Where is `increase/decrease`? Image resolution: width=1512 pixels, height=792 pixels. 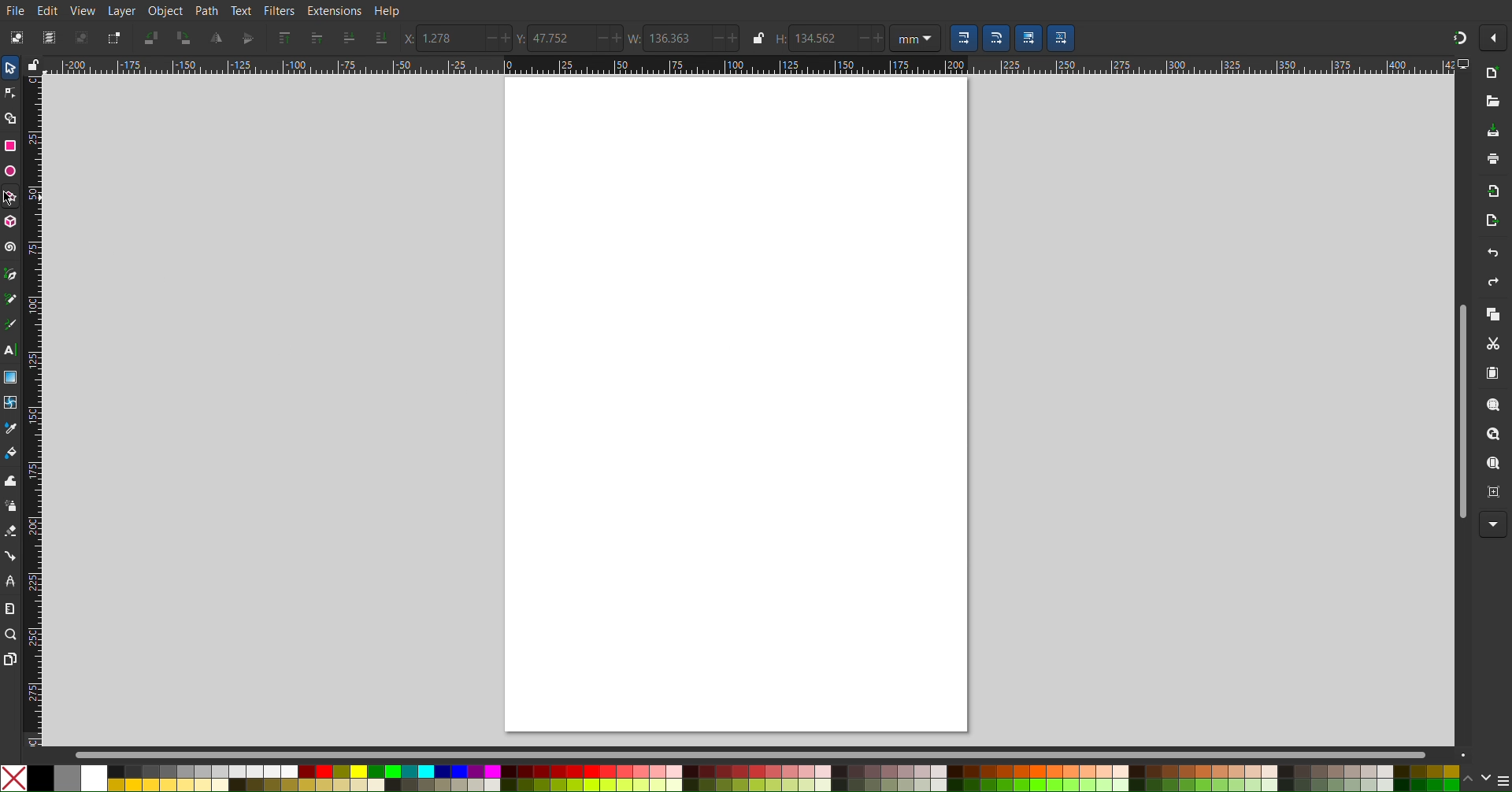 increase/decrease is located at coordinates (496, 38).